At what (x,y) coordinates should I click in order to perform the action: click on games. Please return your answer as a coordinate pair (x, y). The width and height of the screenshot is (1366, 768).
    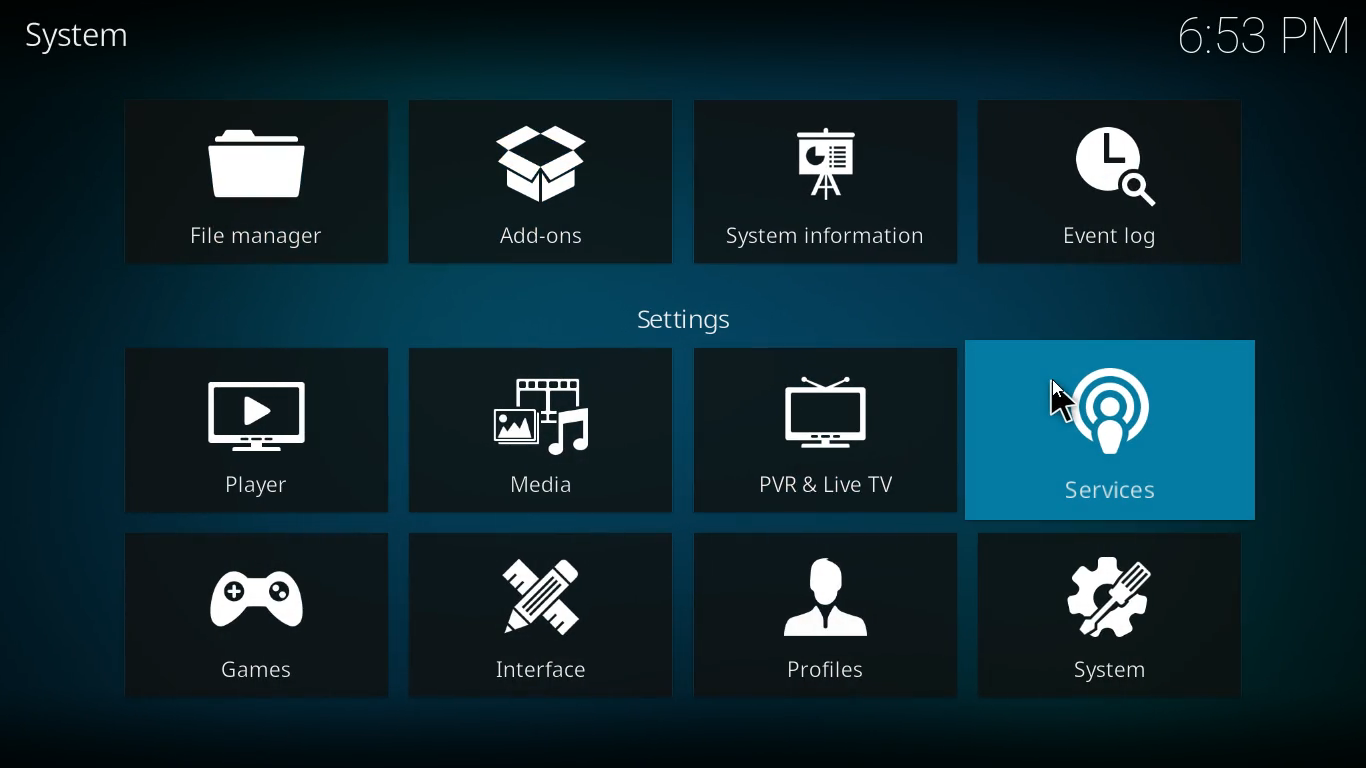
    Looking at the image, I should click on (254, 618).